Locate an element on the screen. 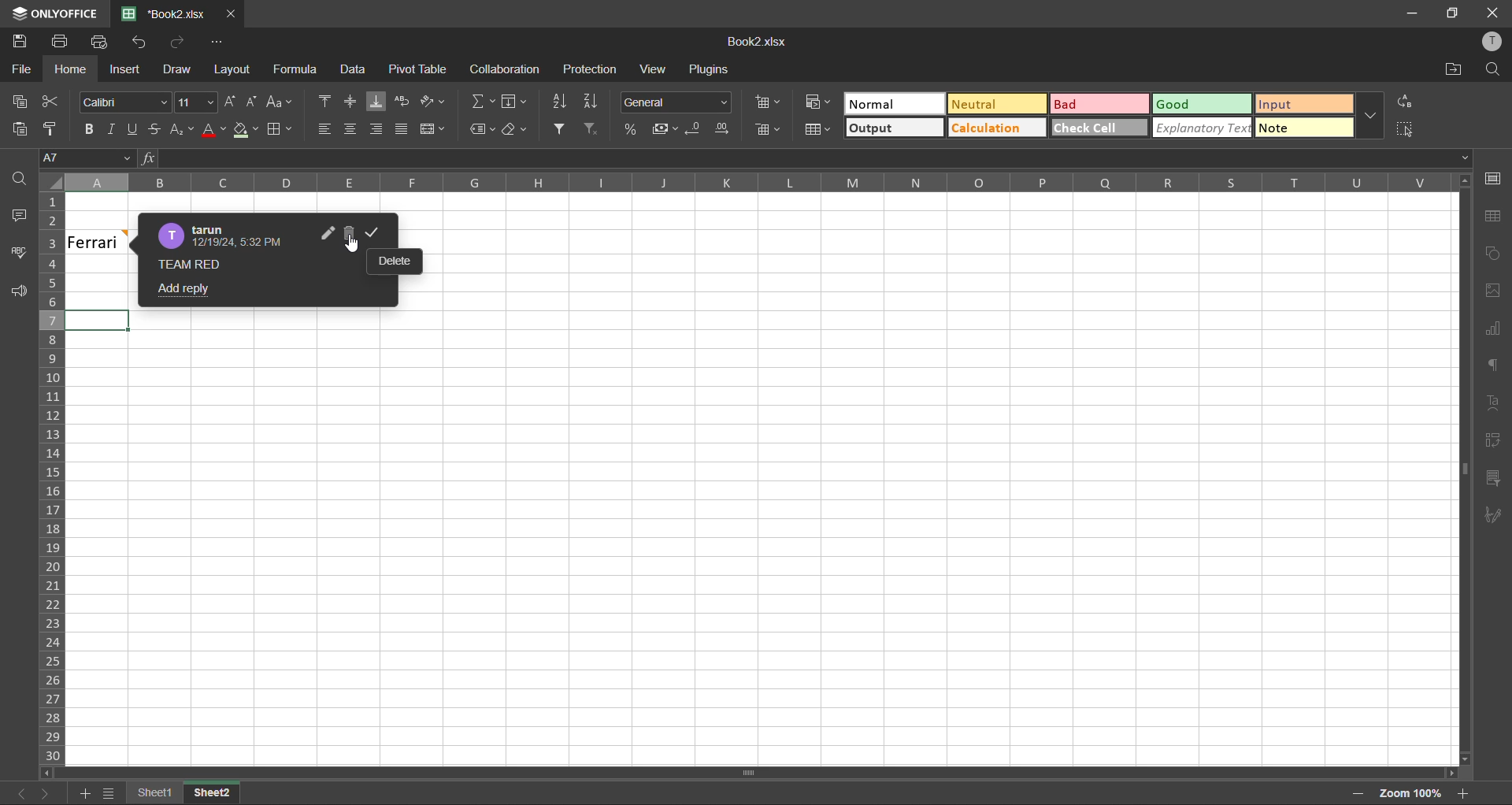 The width and height of the screenshot is (1512, 805). replace is located at coordinates (1400, 101).